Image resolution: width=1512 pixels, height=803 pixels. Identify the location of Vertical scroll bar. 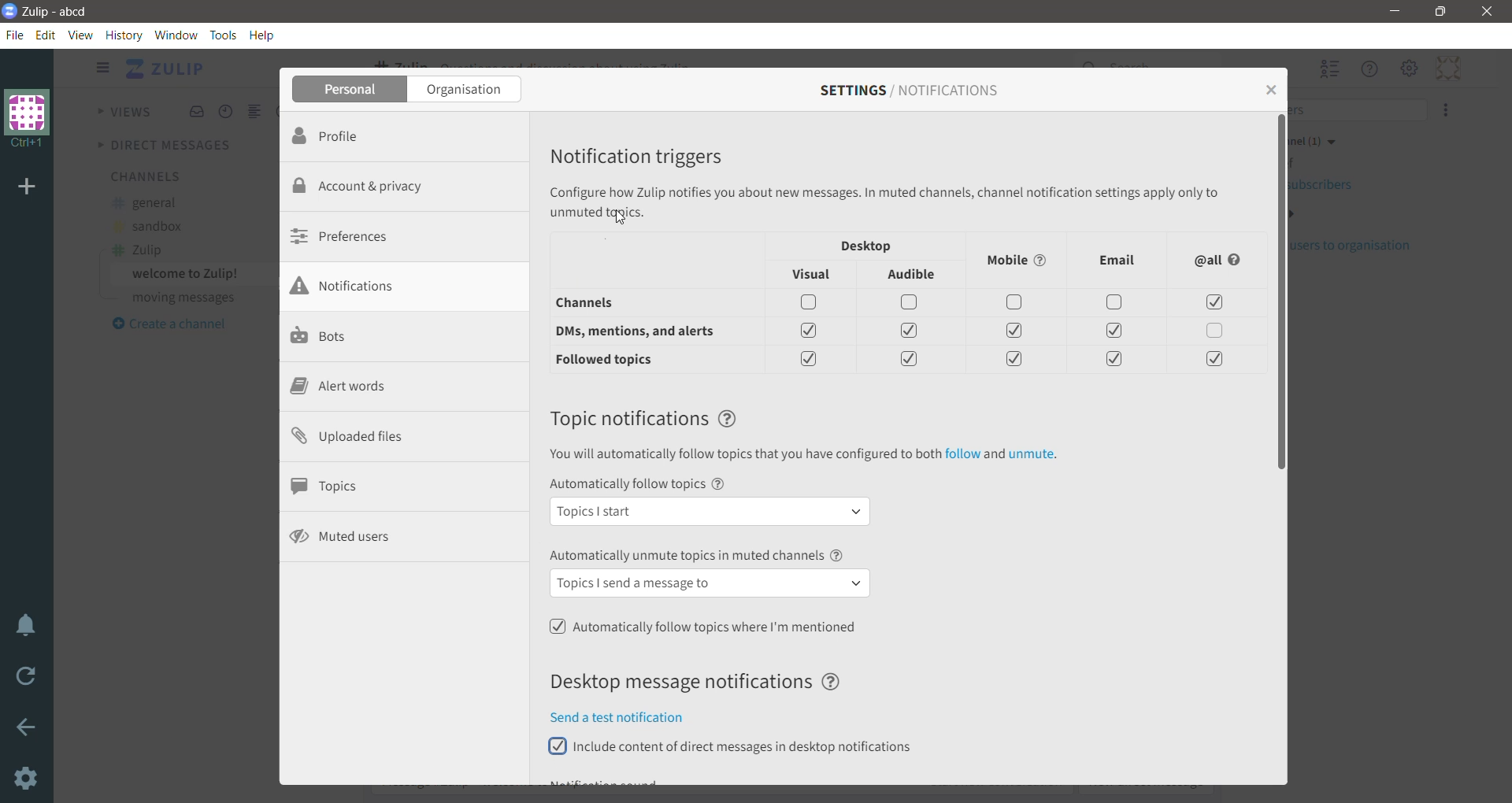
(1280, 448).